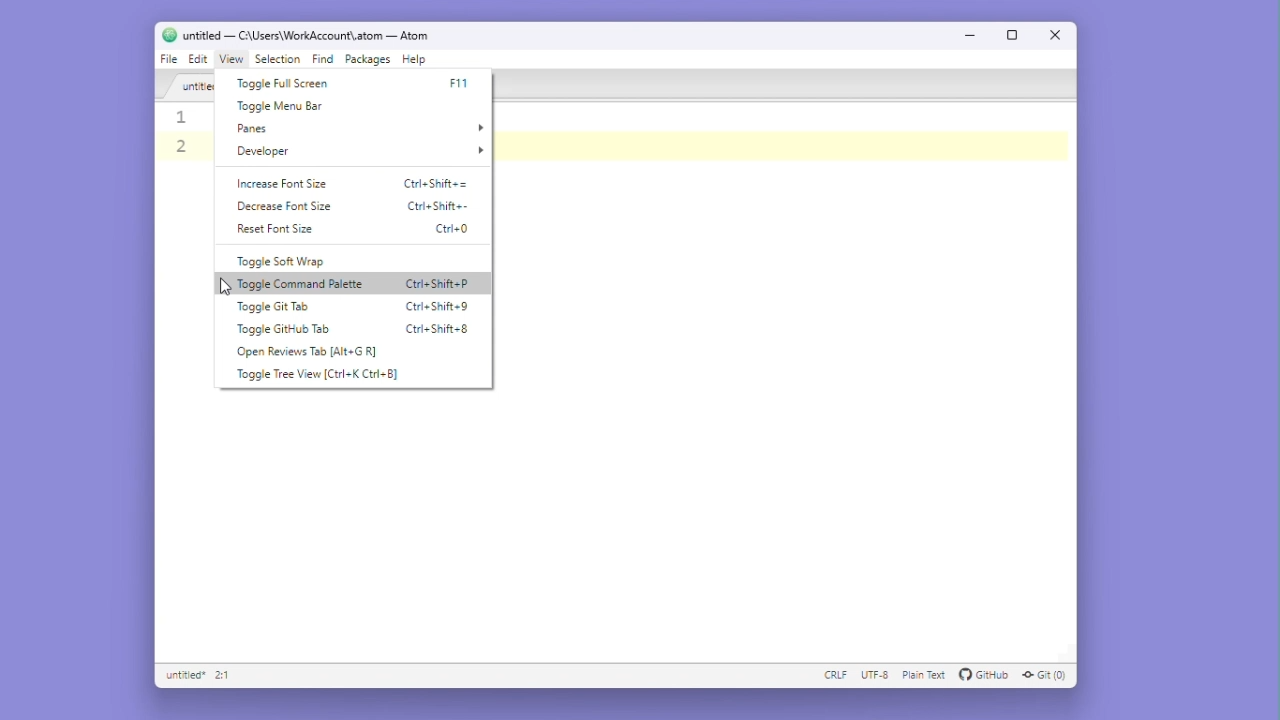 This screenshot has width=1280, height=720. I want to click on Help, so click(414, 59).